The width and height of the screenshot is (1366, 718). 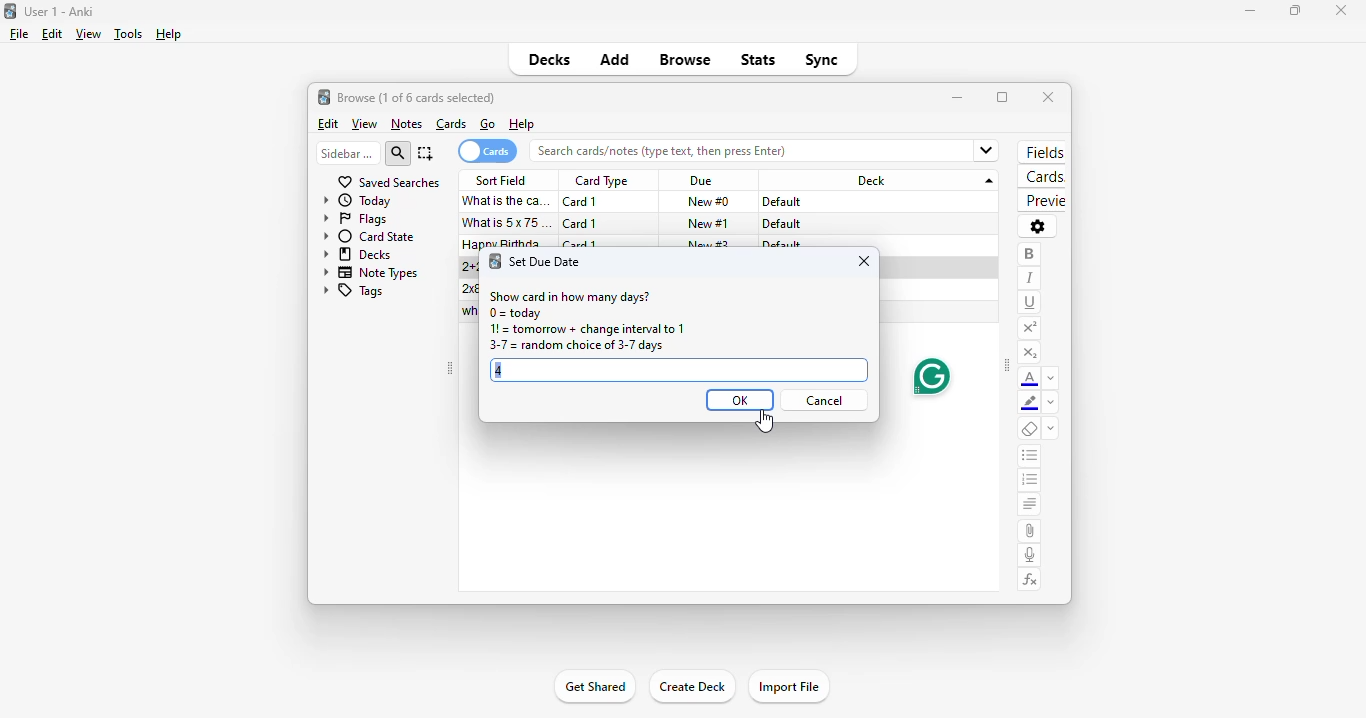 I want to click on toggle sidebar, so click(x=1007, y=367).